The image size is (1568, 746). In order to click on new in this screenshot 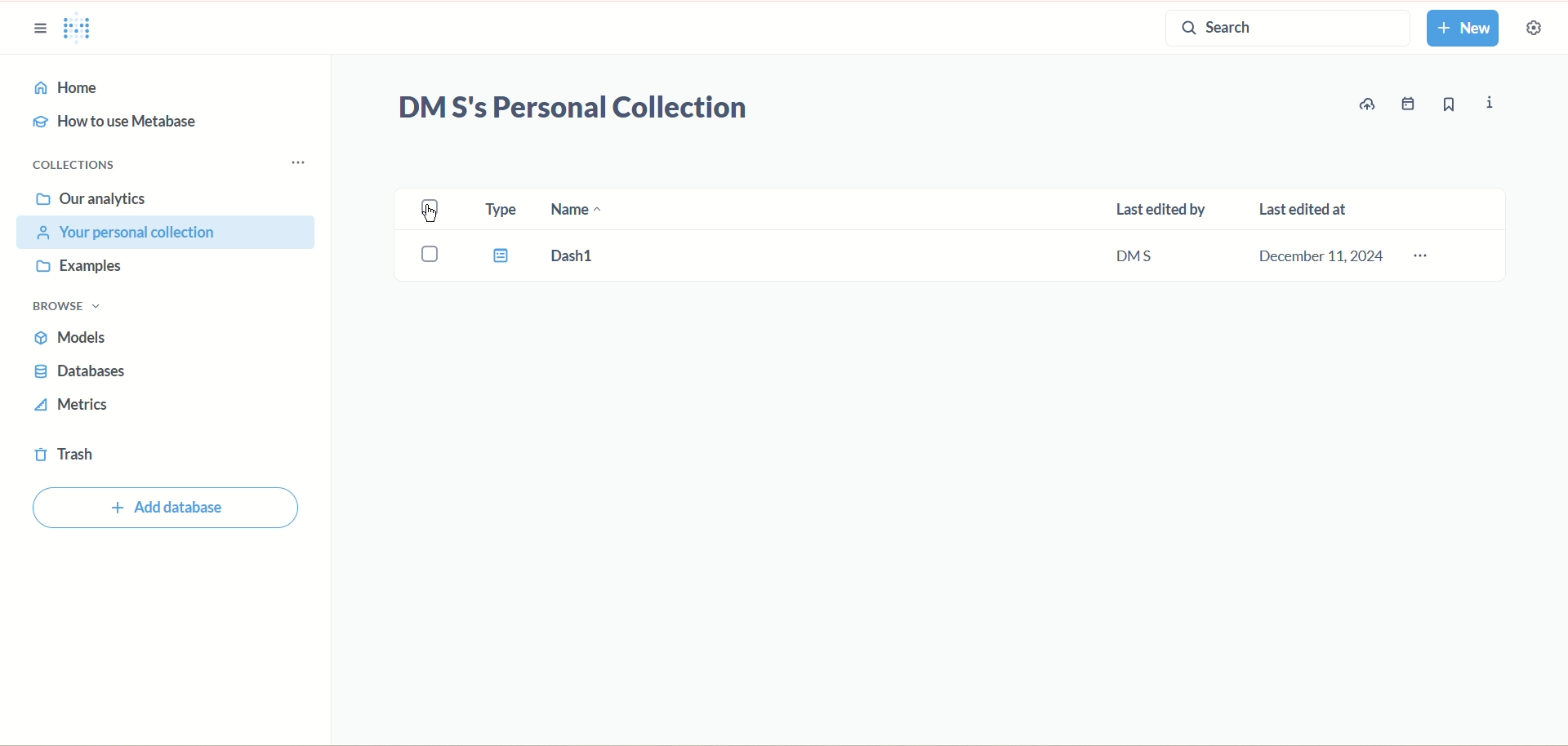, I will do `click(1463, 29)`.